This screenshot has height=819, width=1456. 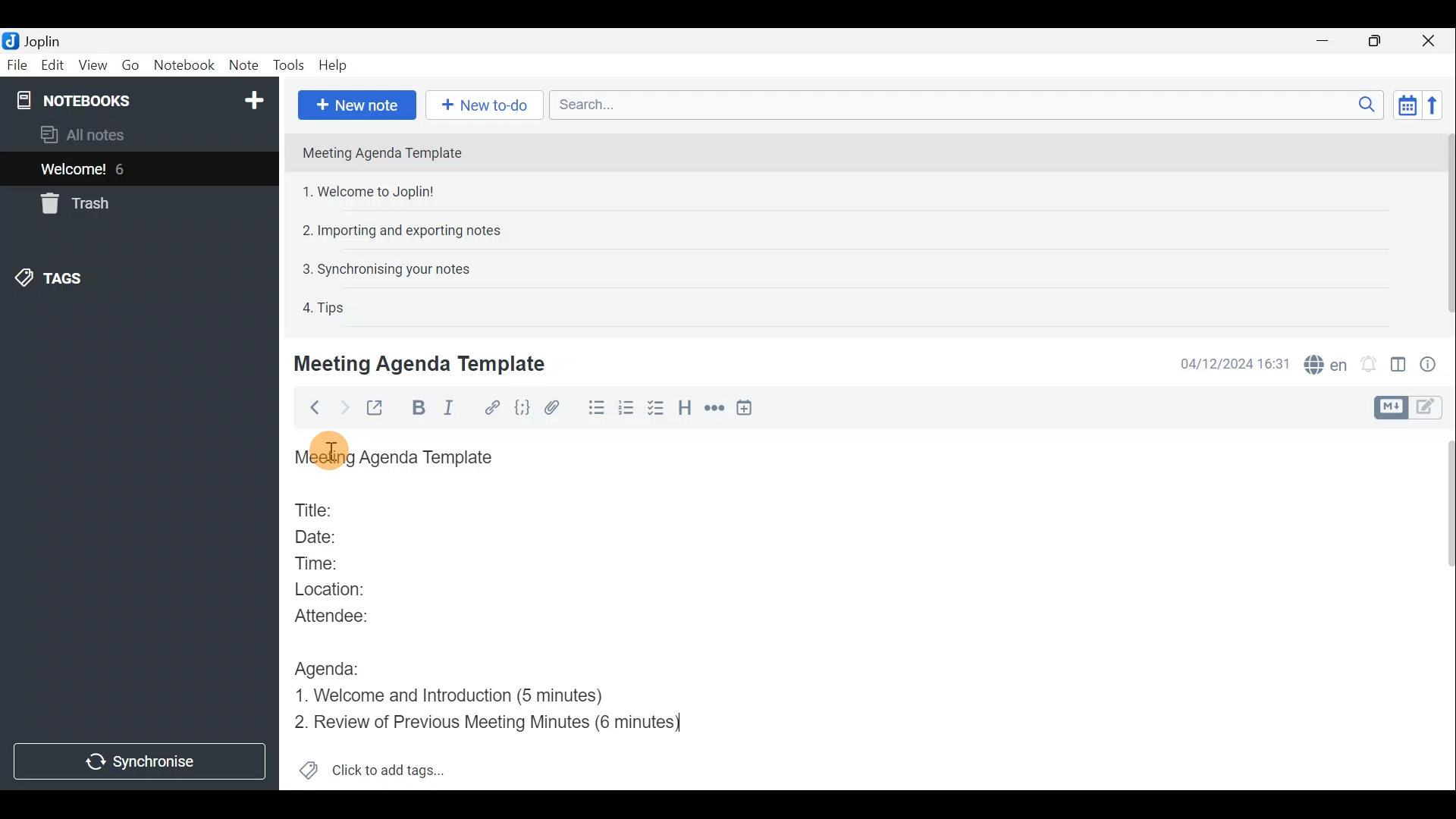 I want to click on Toggle editors, so click(x=1389, y=408).